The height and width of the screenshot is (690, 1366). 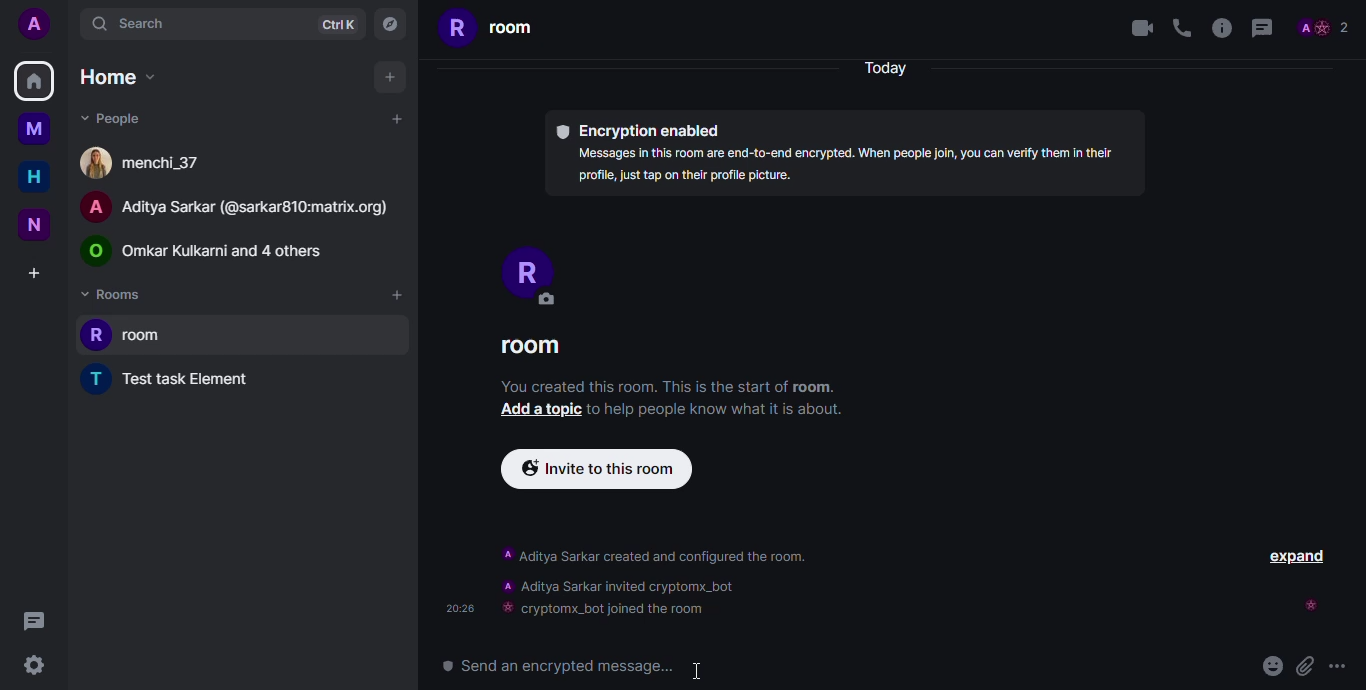 I want to click on threads, so click(x=33, y=621).